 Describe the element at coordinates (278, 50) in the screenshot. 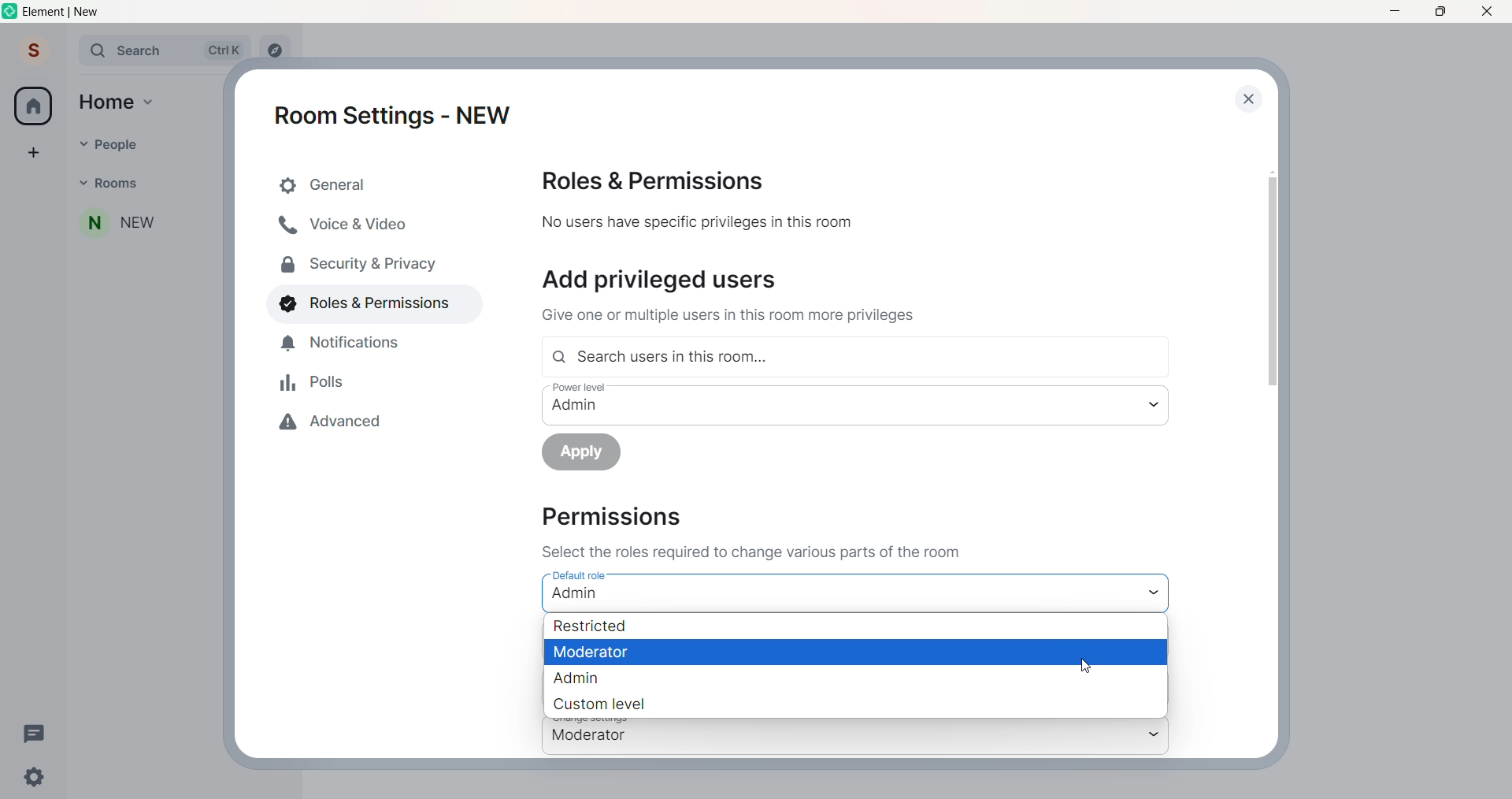

I see `explore` at that location.